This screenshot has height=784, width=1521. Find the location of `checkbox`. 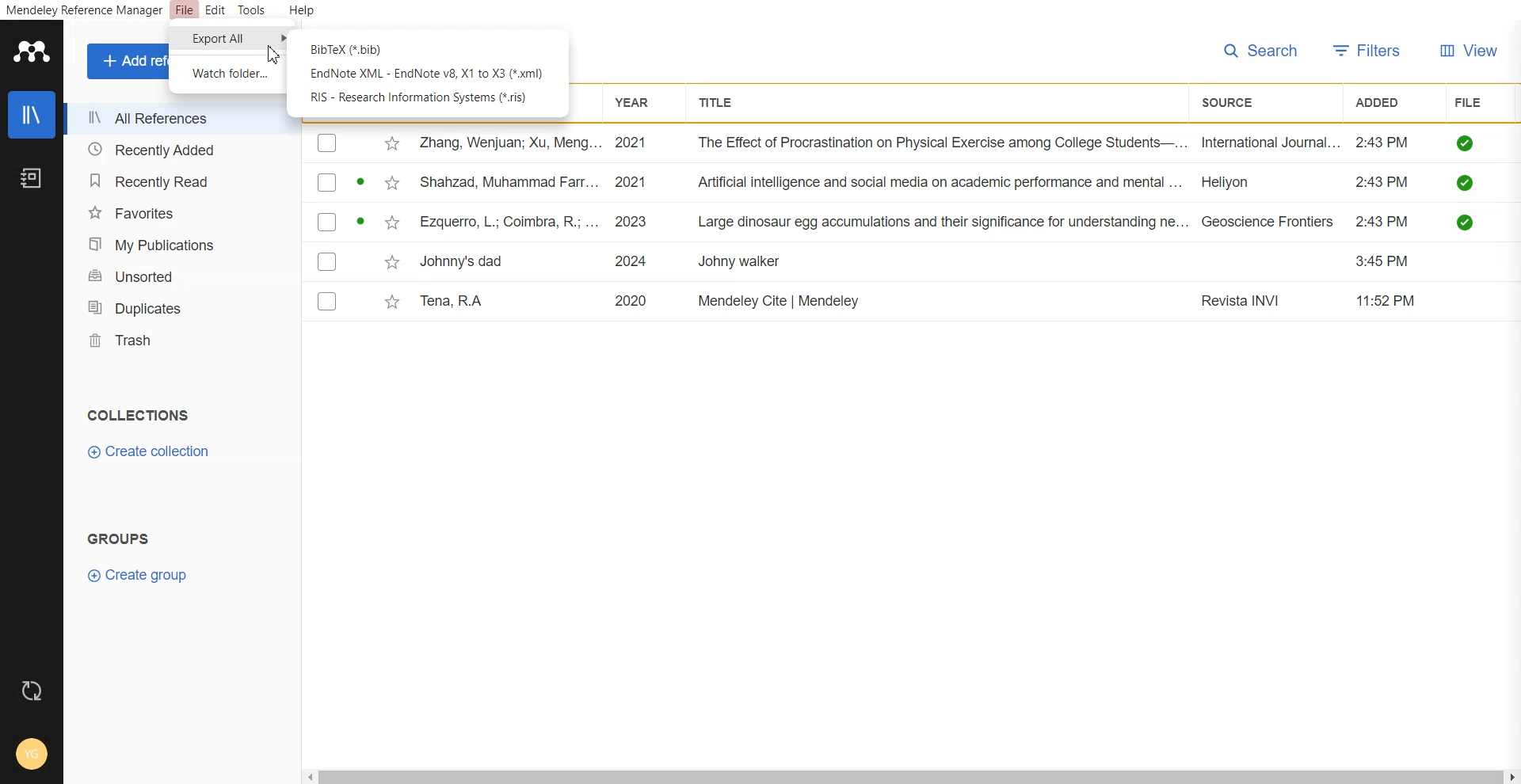

checkbox is located at coordinates (326, 261).